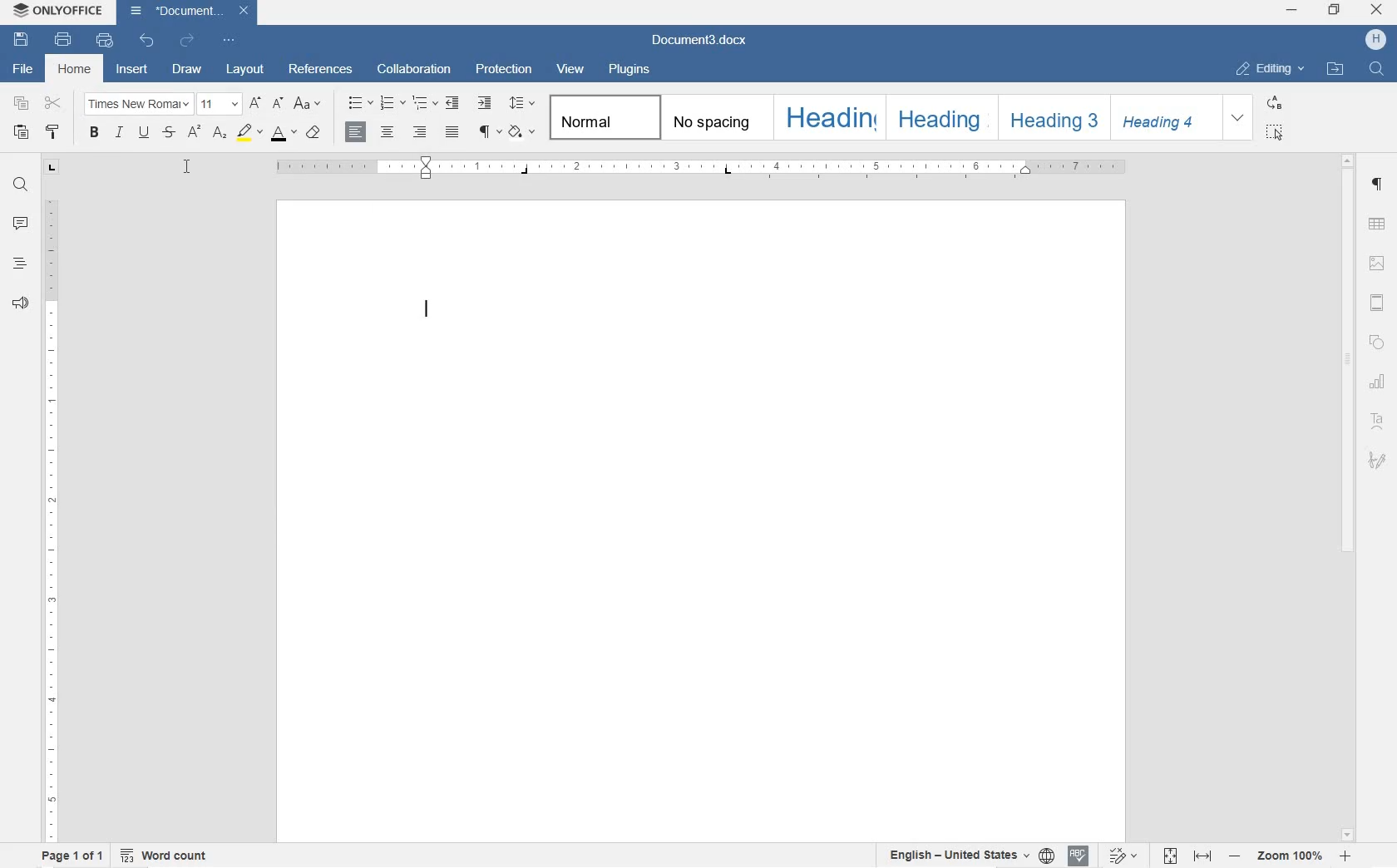 This screenshot has width=1397, height=868. What do you see at coordinates (420, 131) in the screenshot?
I see `ALIGN RIGHT` at bounding box center [420, 131].